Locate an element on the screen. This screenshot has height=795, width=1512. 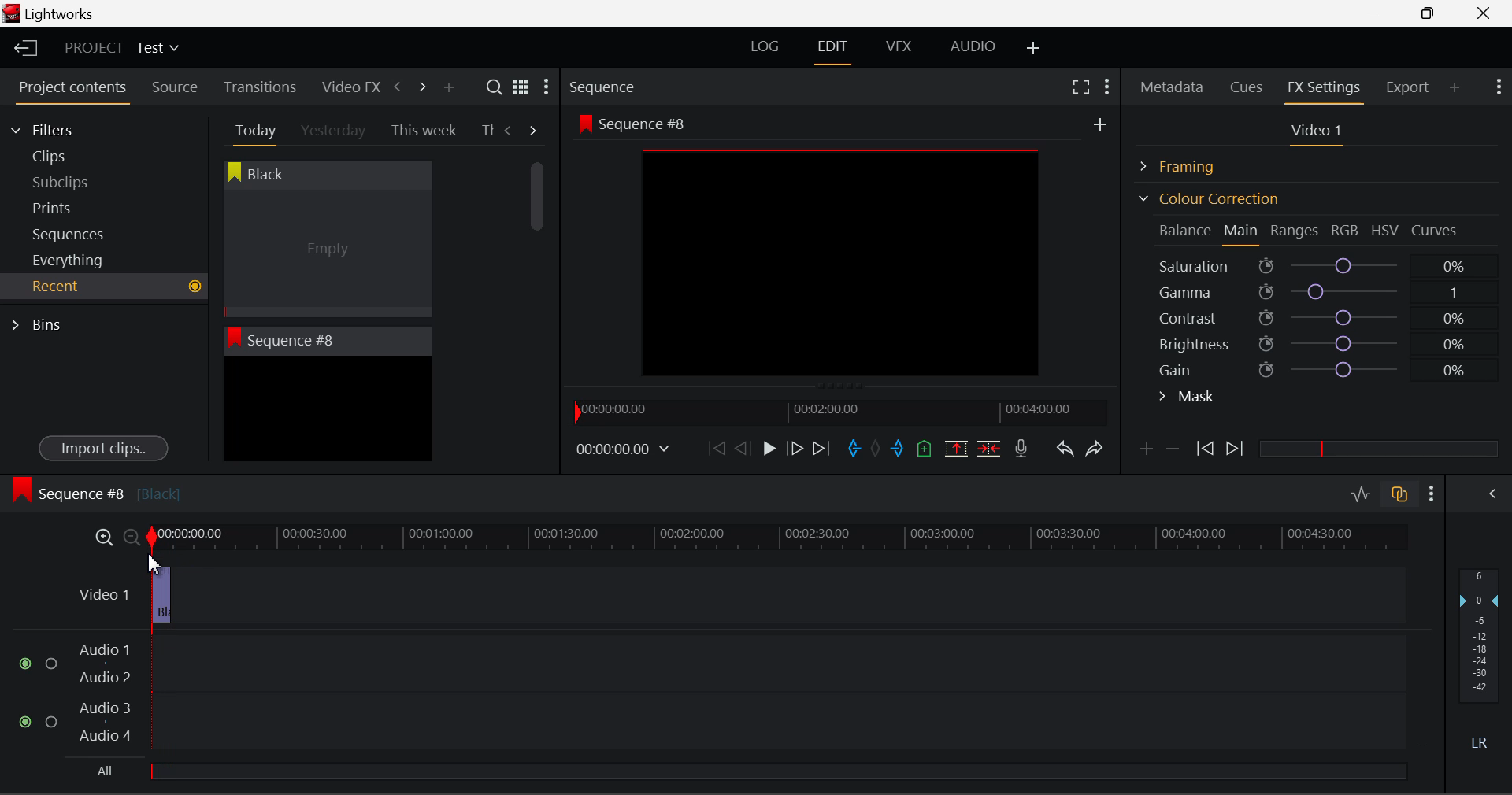
Decibel Gain is located at coordinates (1478, 663).